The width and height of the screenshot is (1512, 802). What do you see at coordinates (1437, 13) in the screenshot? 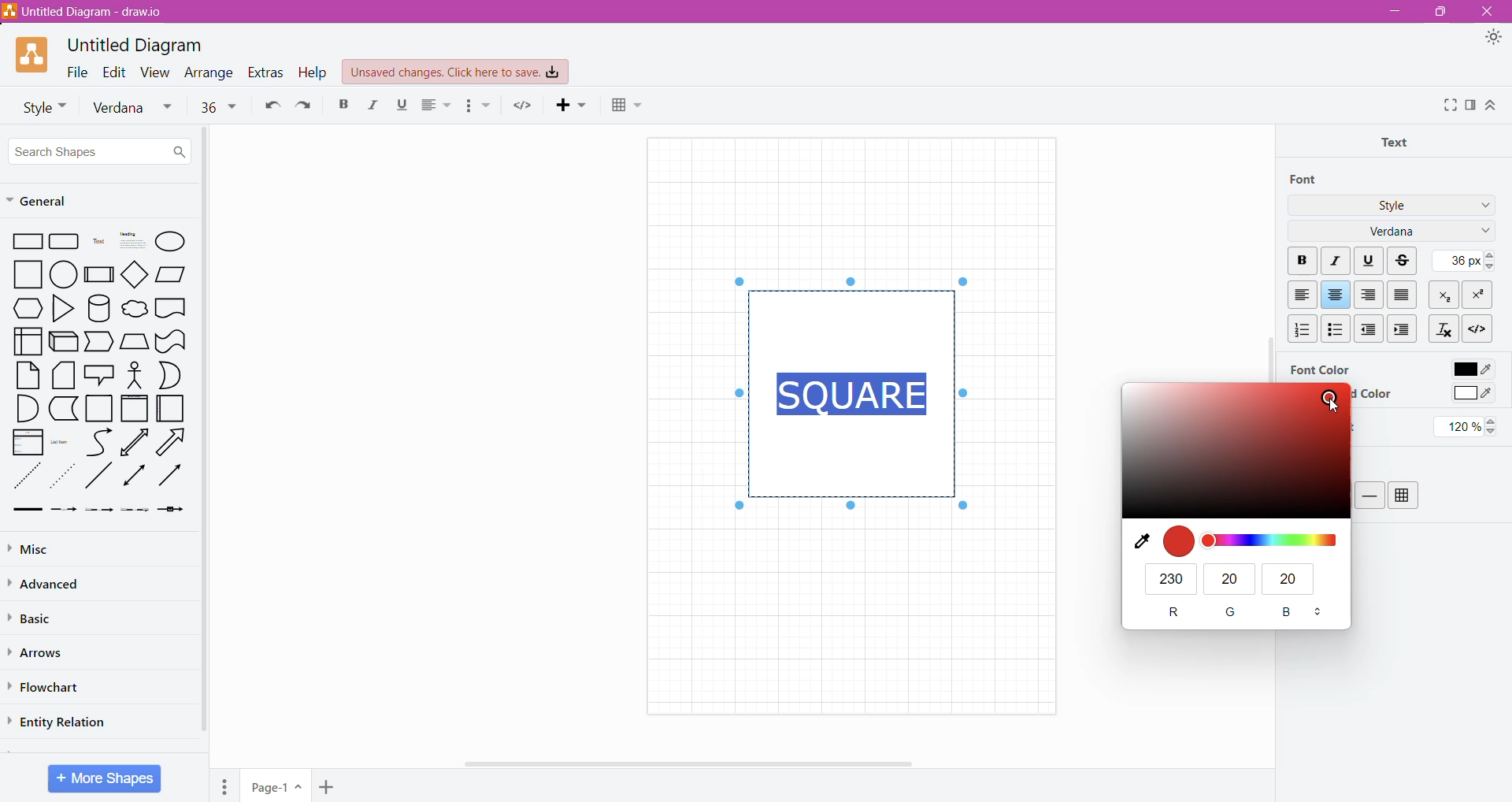
I see `Restore Down` at bounding box center [1437, 13].